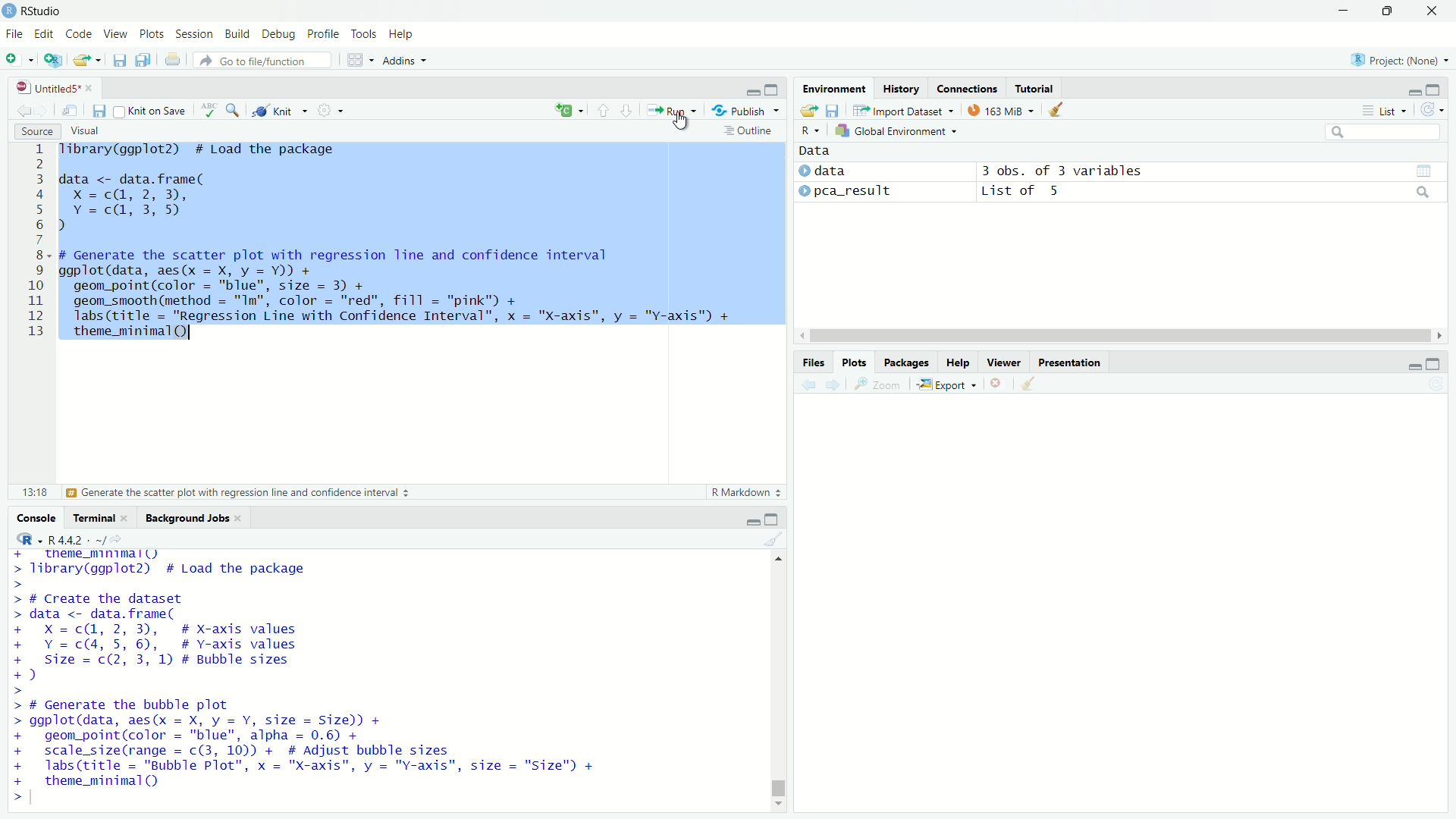  Describe the element at coordinates (968, 88) in the screenshot. I see `Connections` at that location.